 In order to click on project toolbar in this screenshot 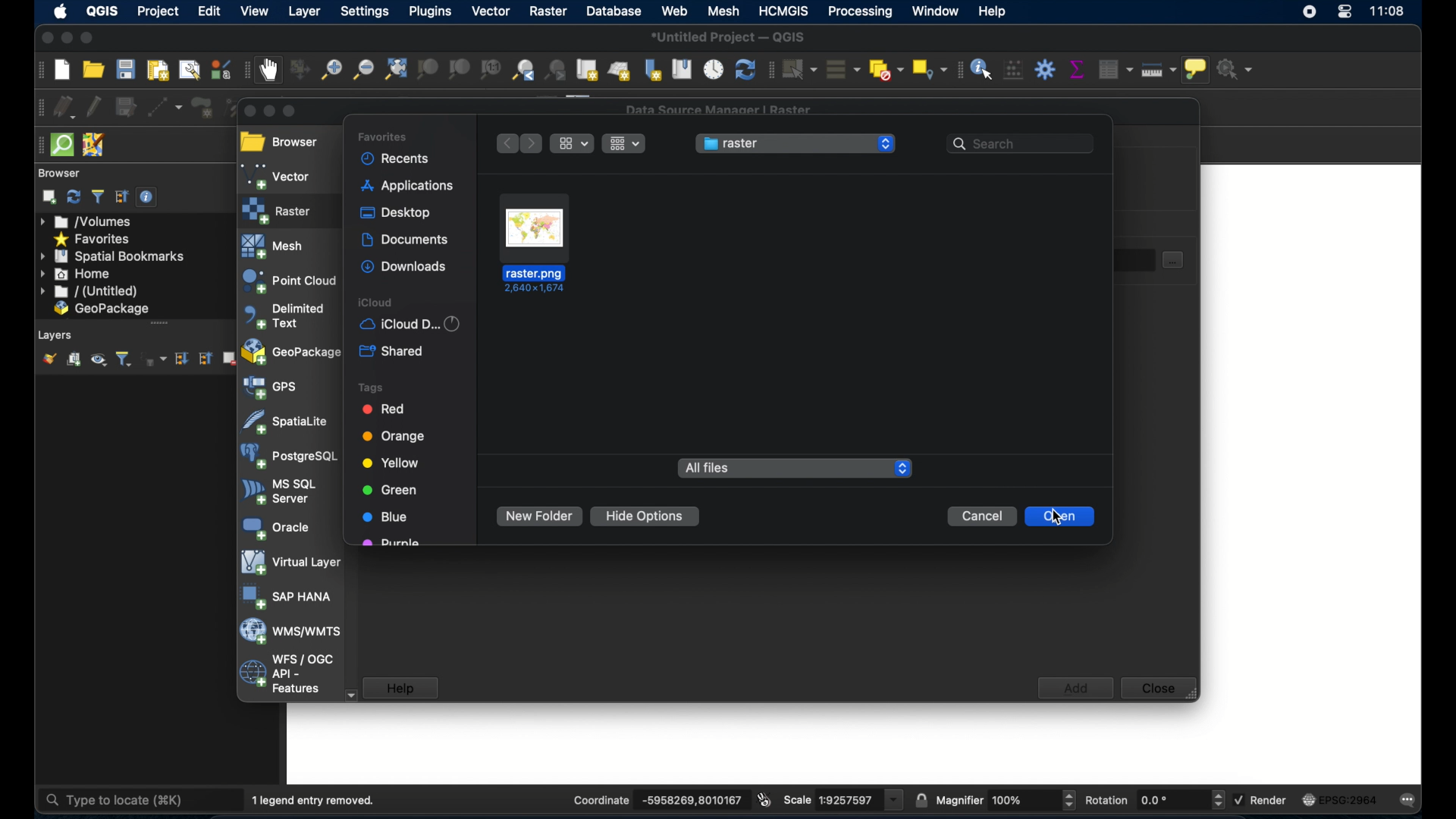, I will do `click(37, 70)`.